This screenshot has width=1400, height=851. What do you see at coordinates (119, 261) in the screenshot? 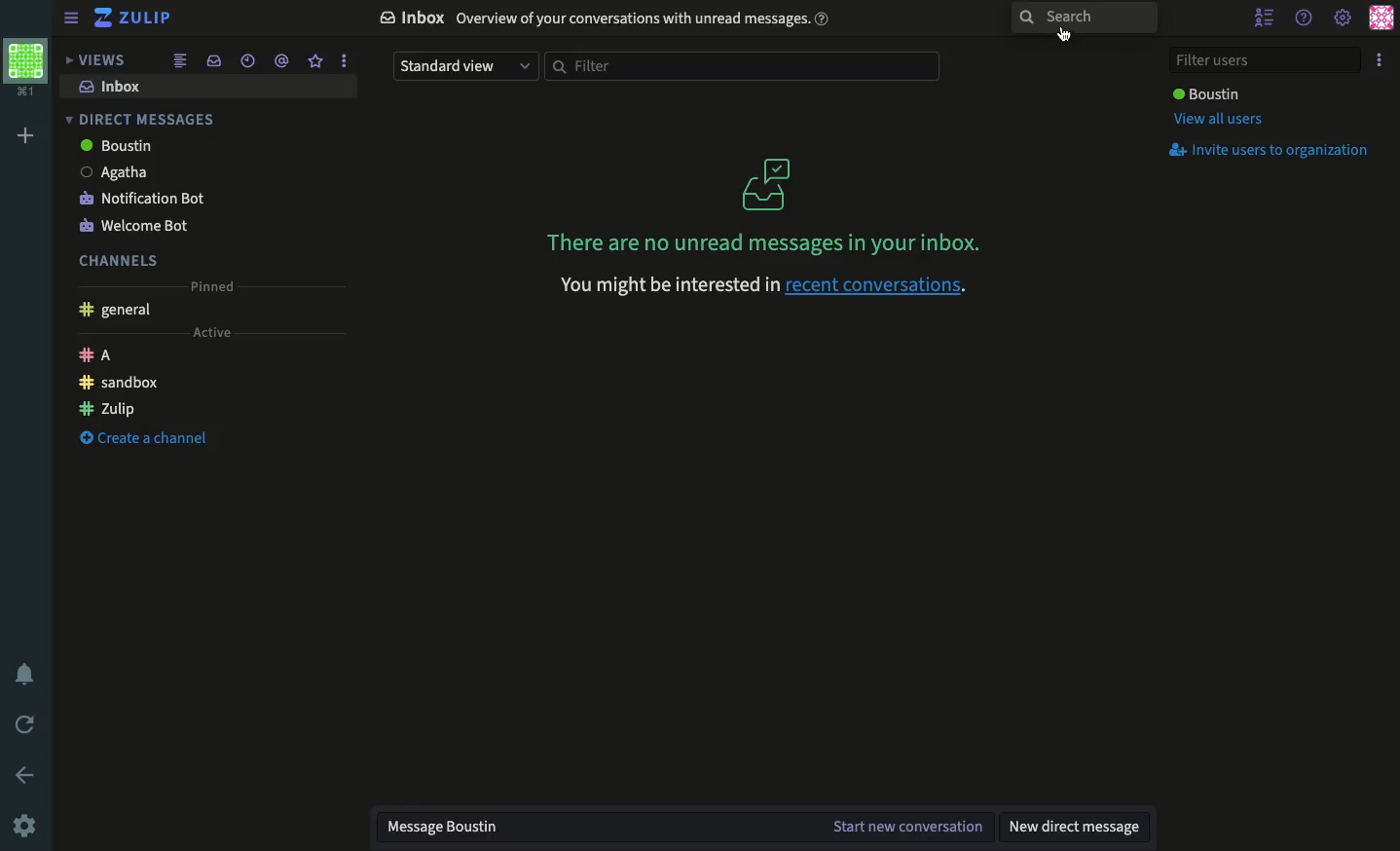
I see `Channels` at bounding box center [119, 261].